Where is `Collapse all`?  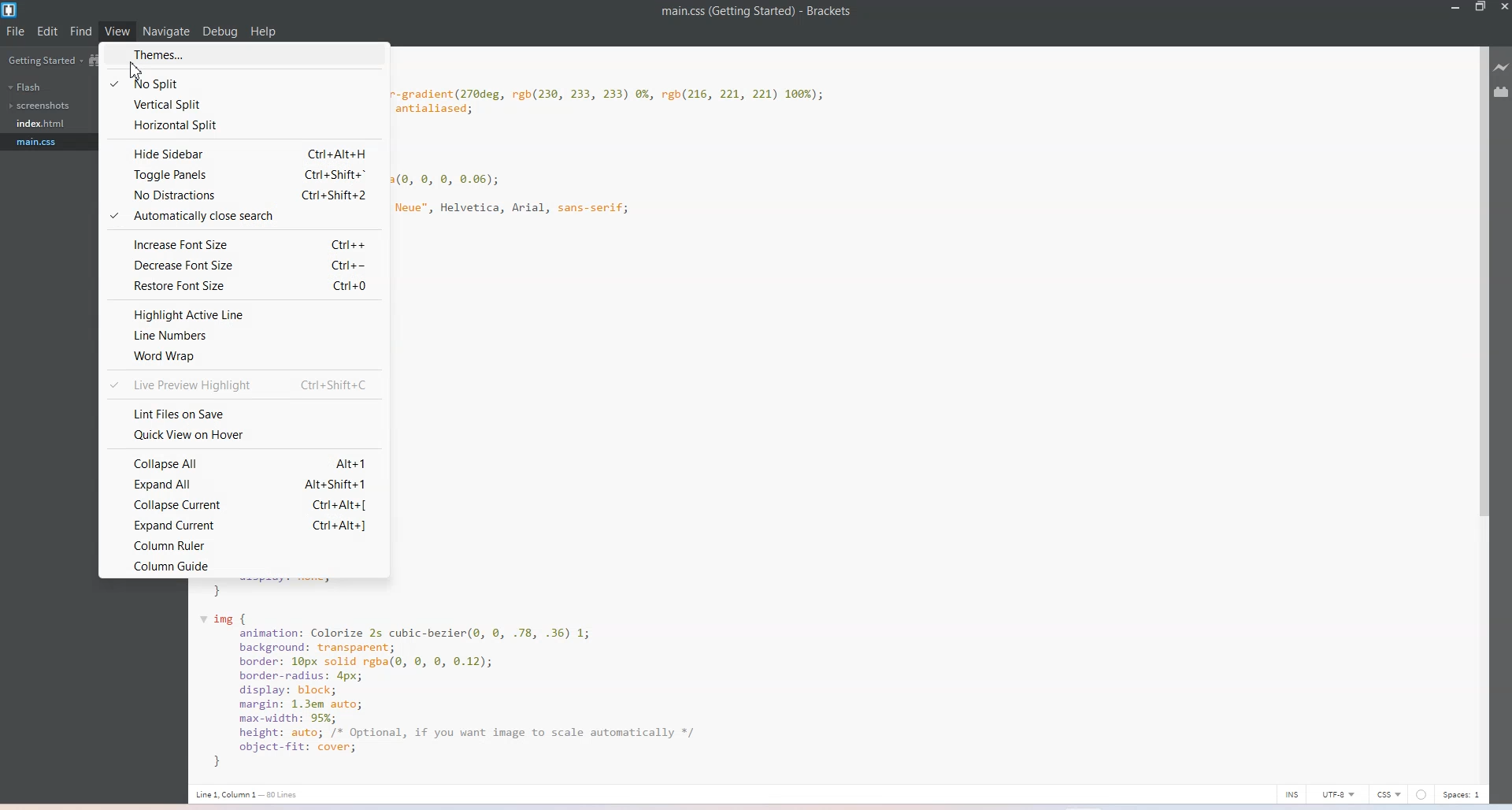 Collapse all is located at coordinates (243, 462).